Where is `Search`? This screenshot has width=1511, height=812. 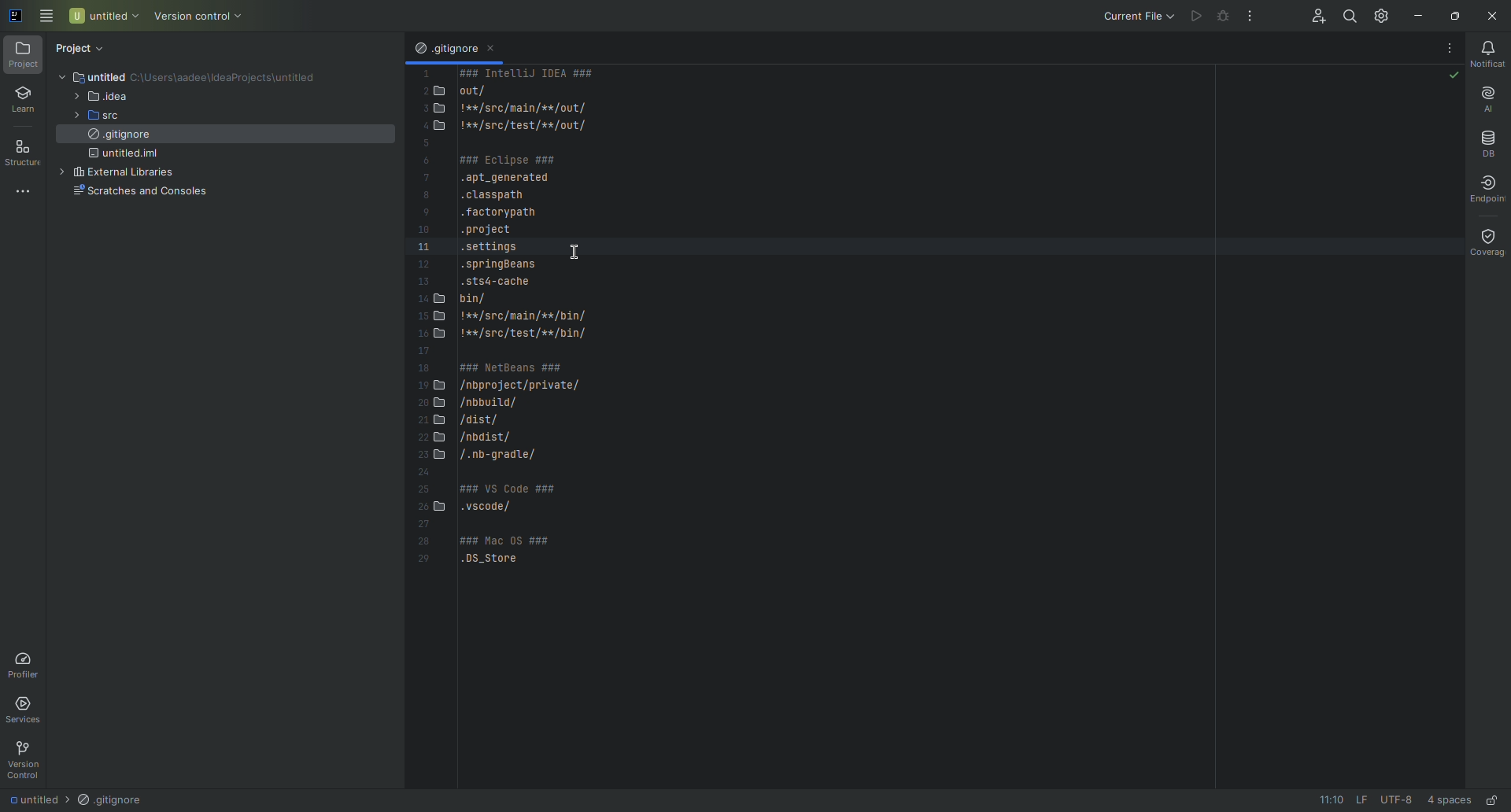
Search is located at coordinates (1345, 15).